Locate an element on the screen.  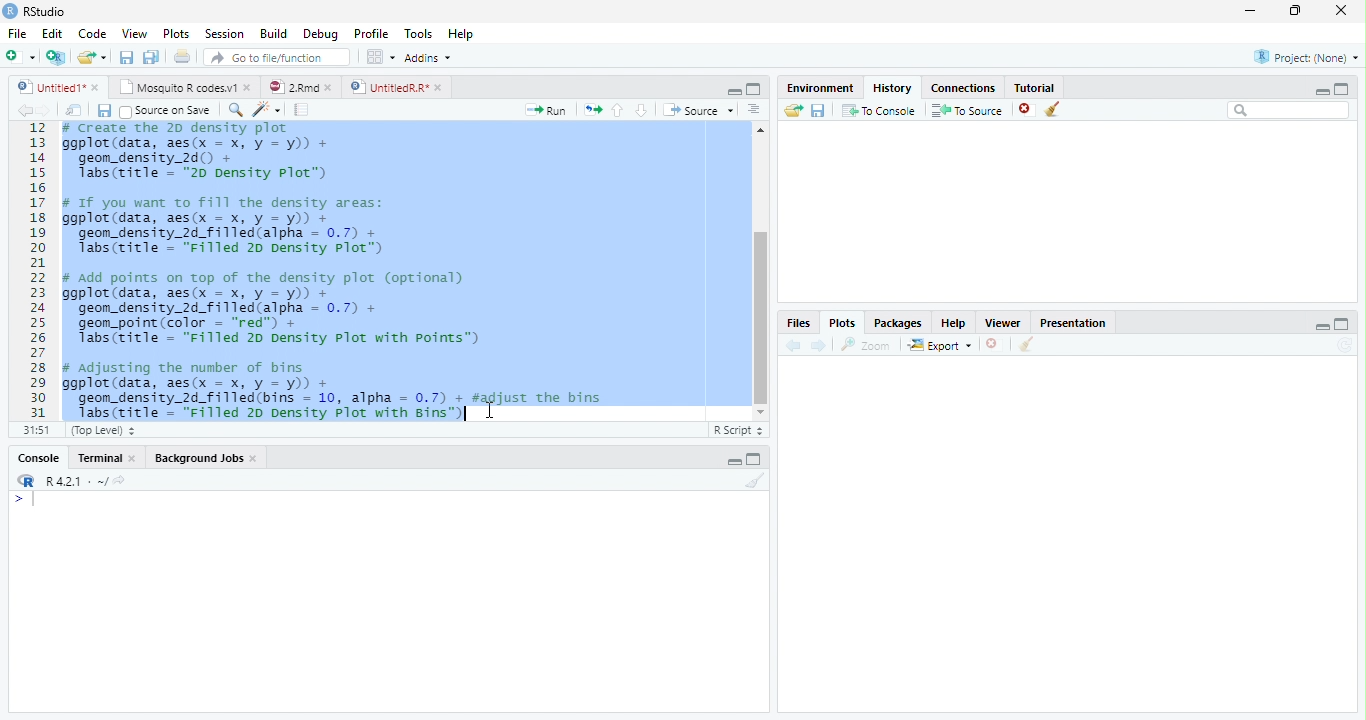
minimize is located at coordinates (735, 92).